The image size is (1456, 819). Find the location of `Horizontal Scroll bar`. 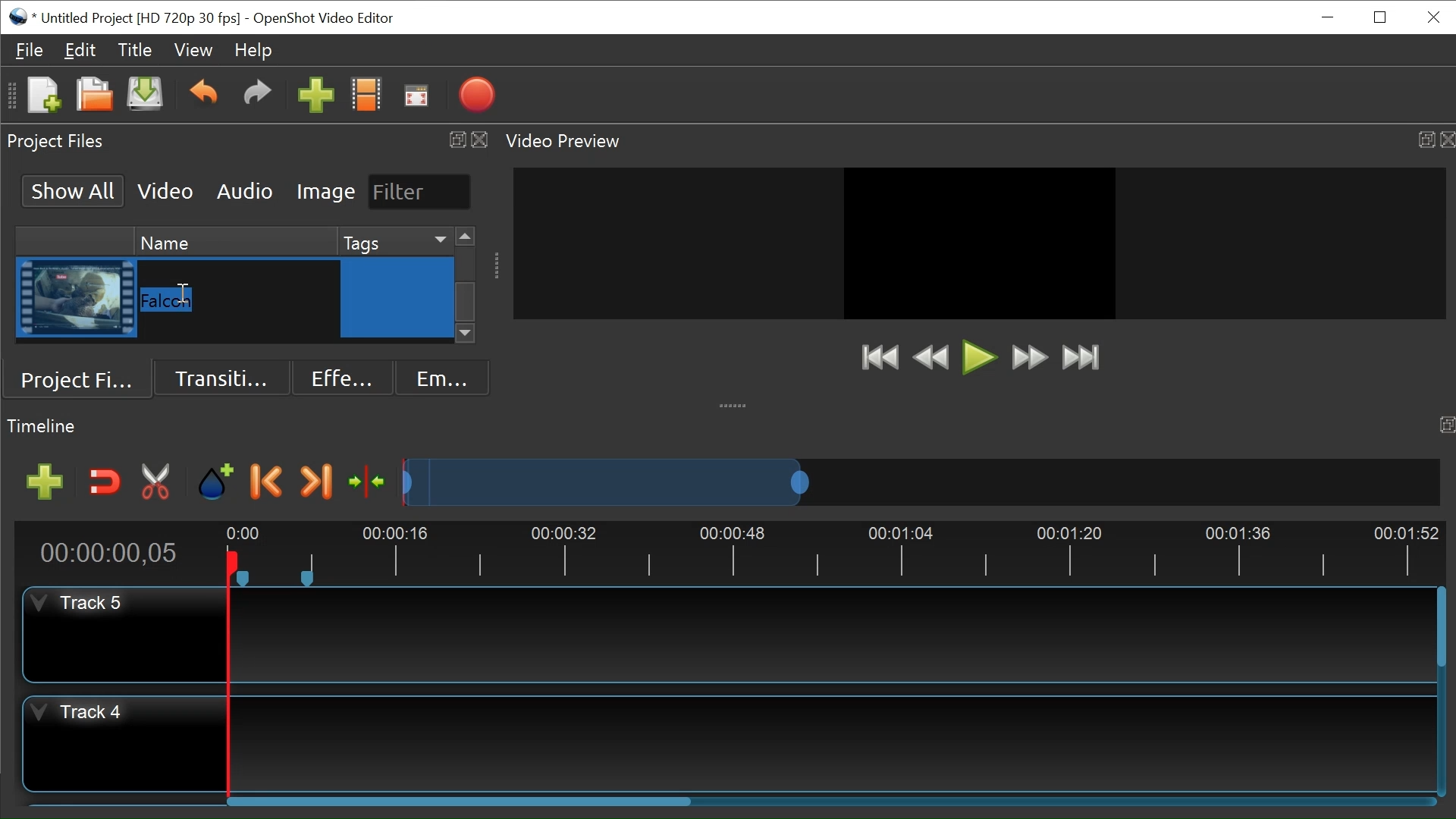

Horizontal Scroll bar is located at coordinates (462, 804).